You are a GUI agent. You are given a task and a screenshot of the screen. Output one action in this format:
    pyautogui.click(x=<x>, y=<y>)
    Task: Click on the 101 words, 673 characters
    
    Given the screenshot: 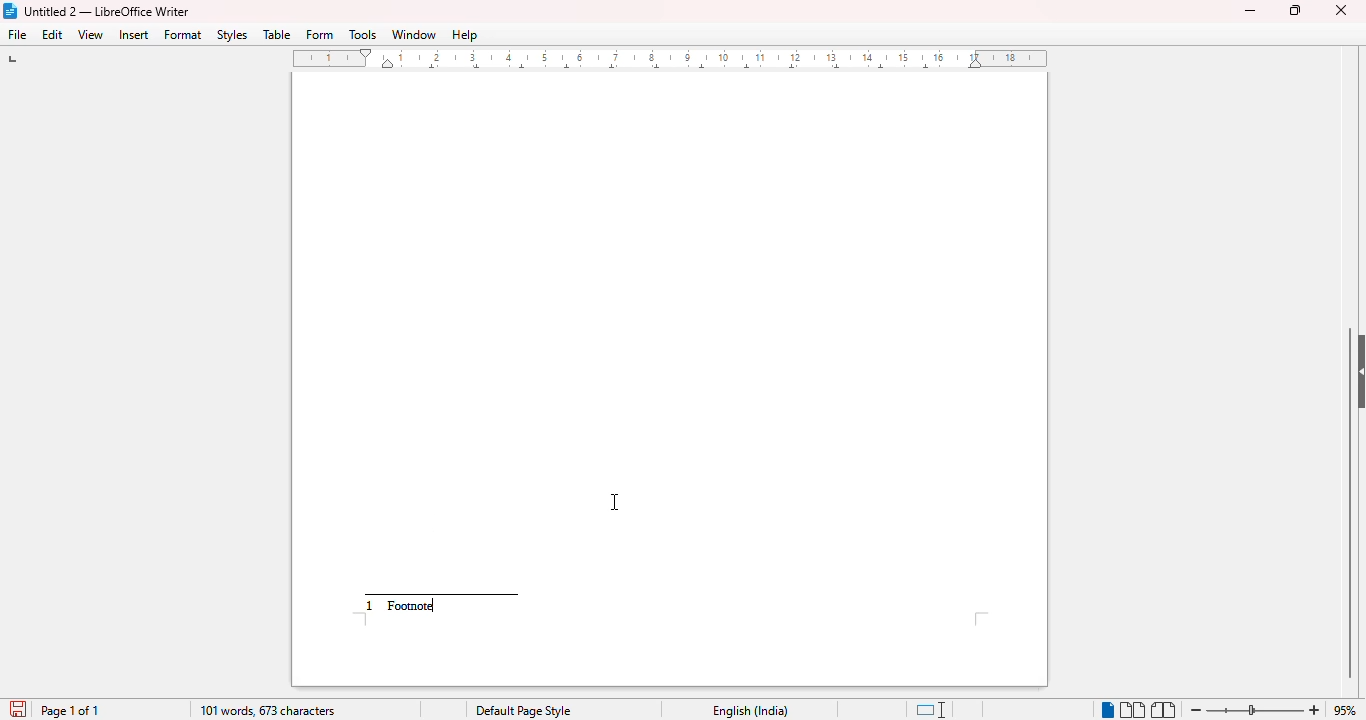 What is the action you would take?
    pyautogui.click(x=268, y=710)
    